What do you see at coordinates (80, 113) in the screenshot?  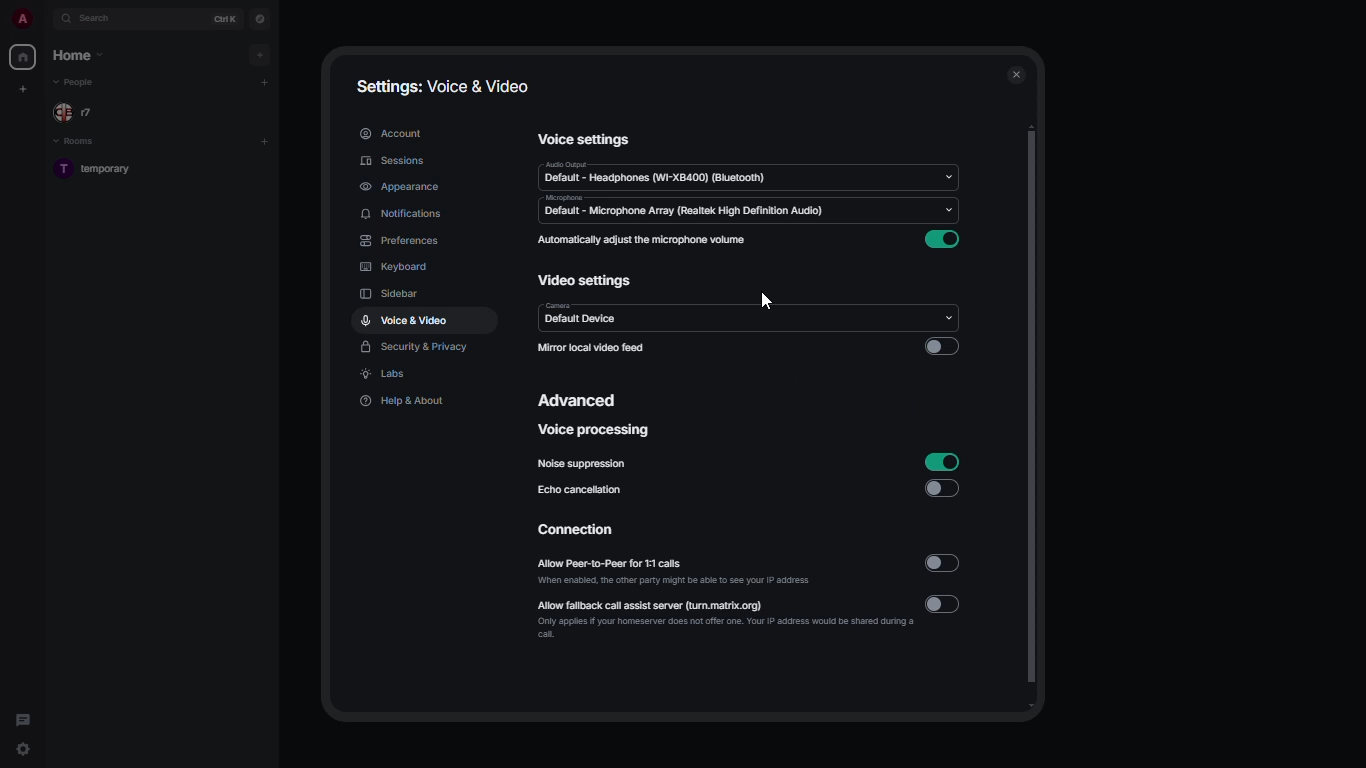 I see `people` at bounding box center [80, 113].